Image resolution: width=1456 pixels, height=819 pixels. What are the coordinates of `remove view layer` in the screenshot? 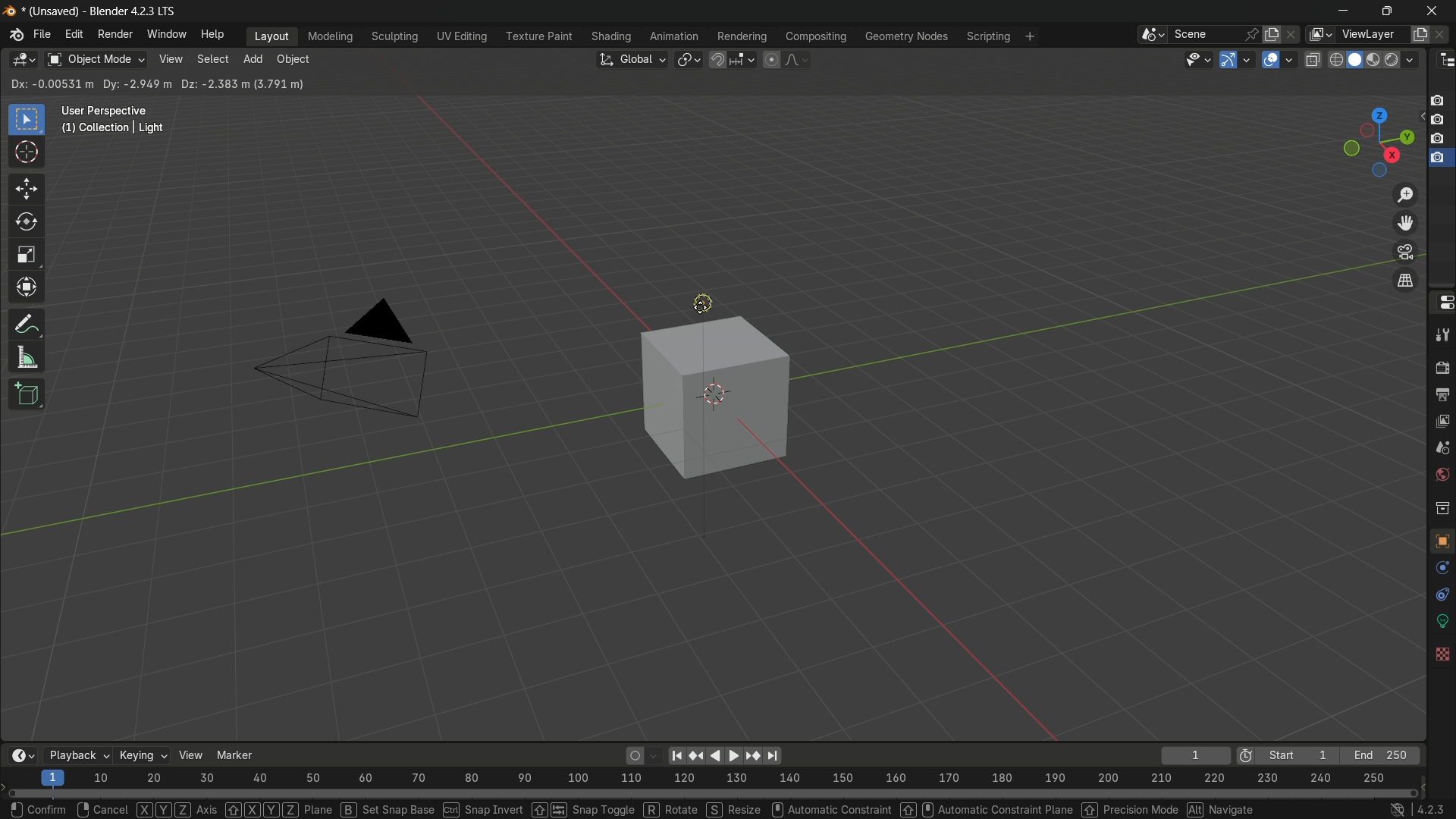 It's located at (1442, 36).